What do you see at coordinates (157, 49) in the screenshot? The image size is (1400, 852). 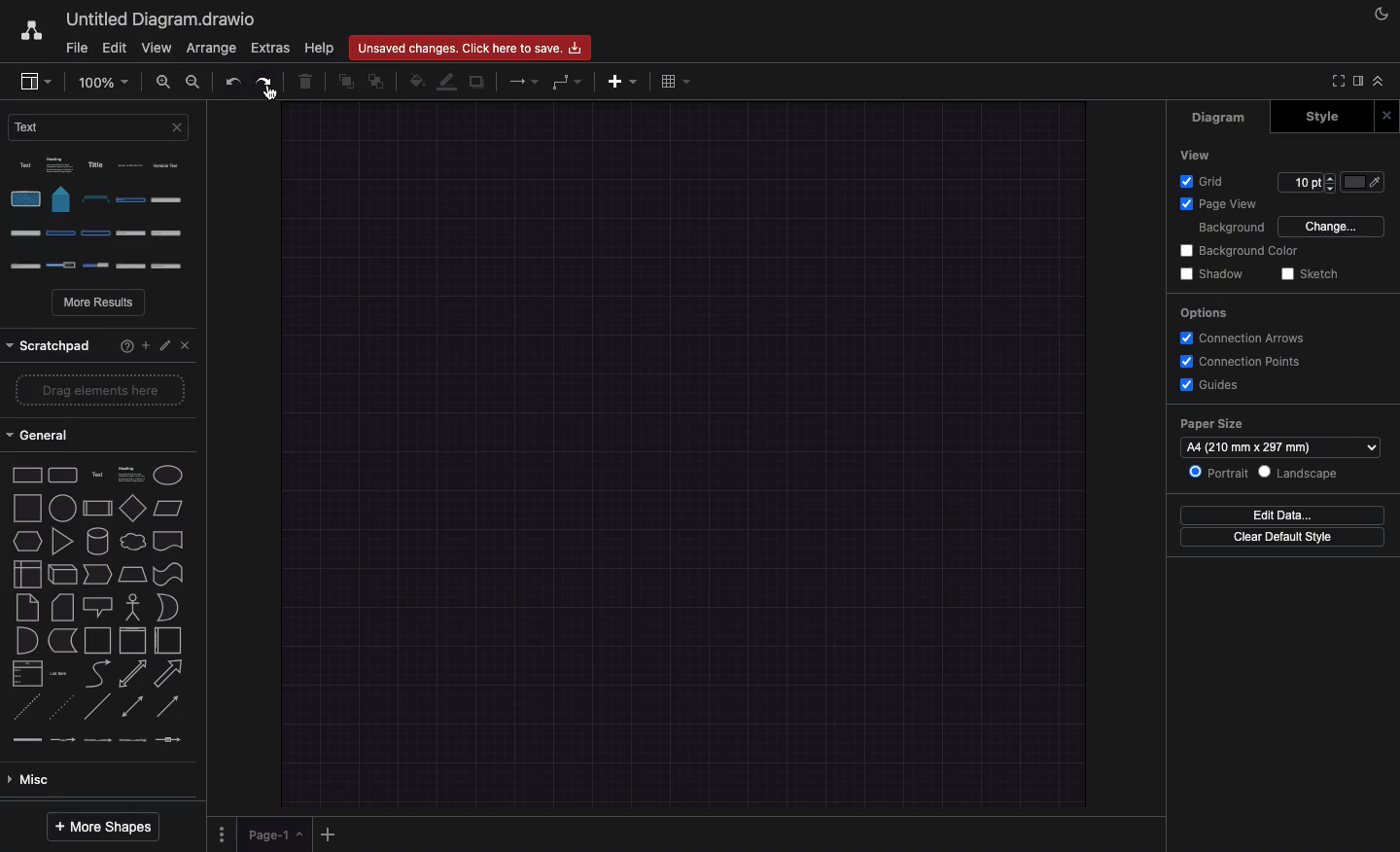 I see `View` at bounding box center [157, 49].